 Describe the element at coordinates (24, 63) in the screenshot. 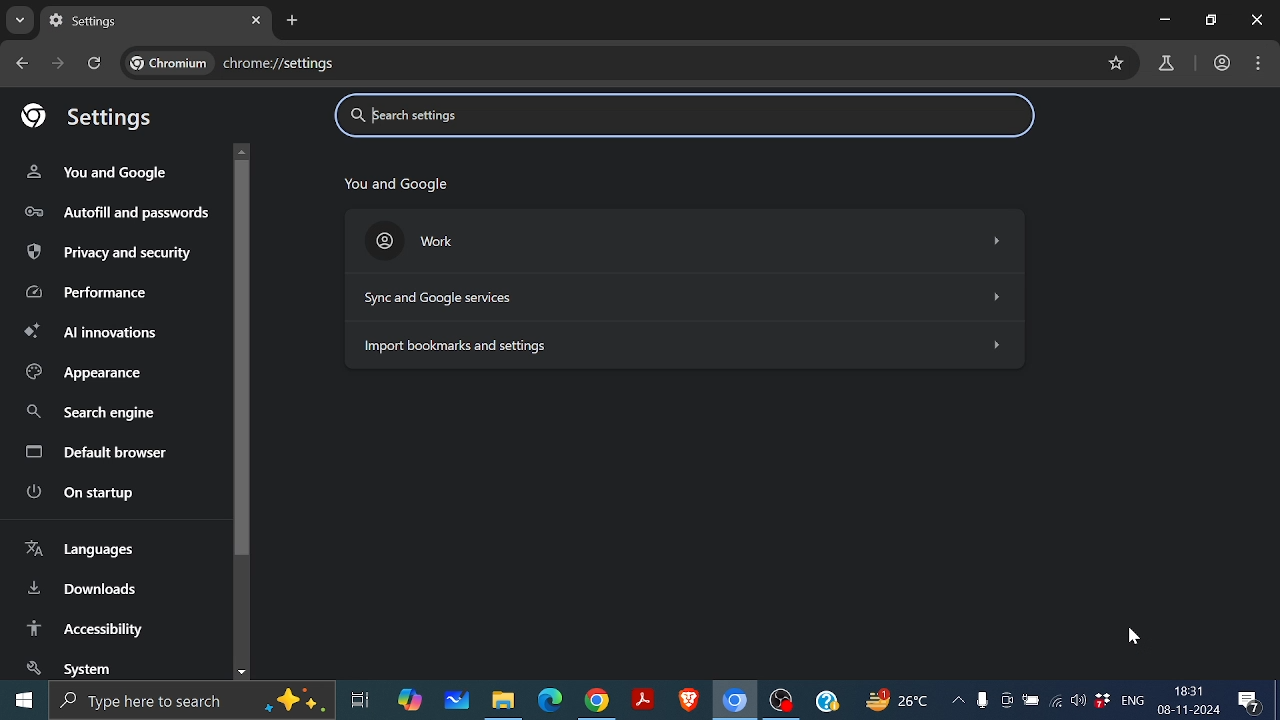

I see `Go to previous page` at that location.